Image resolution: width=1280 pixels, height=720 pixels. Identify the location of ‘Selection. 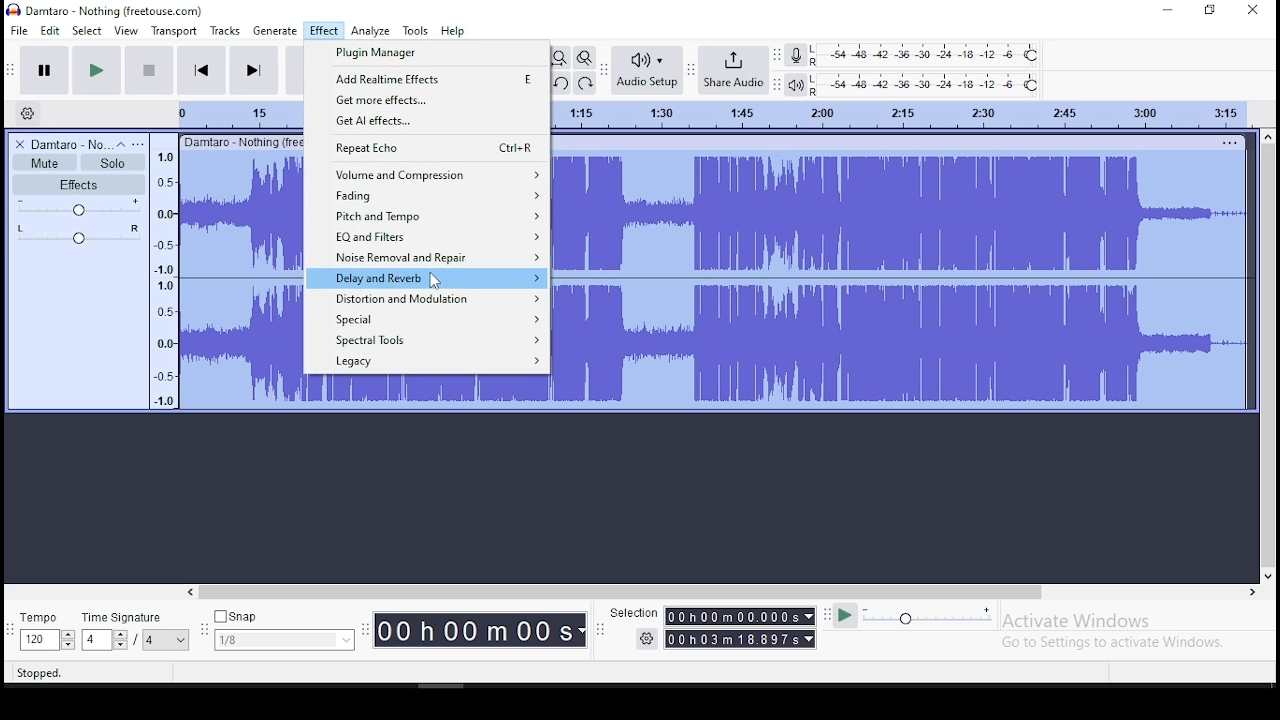
(632, 614).